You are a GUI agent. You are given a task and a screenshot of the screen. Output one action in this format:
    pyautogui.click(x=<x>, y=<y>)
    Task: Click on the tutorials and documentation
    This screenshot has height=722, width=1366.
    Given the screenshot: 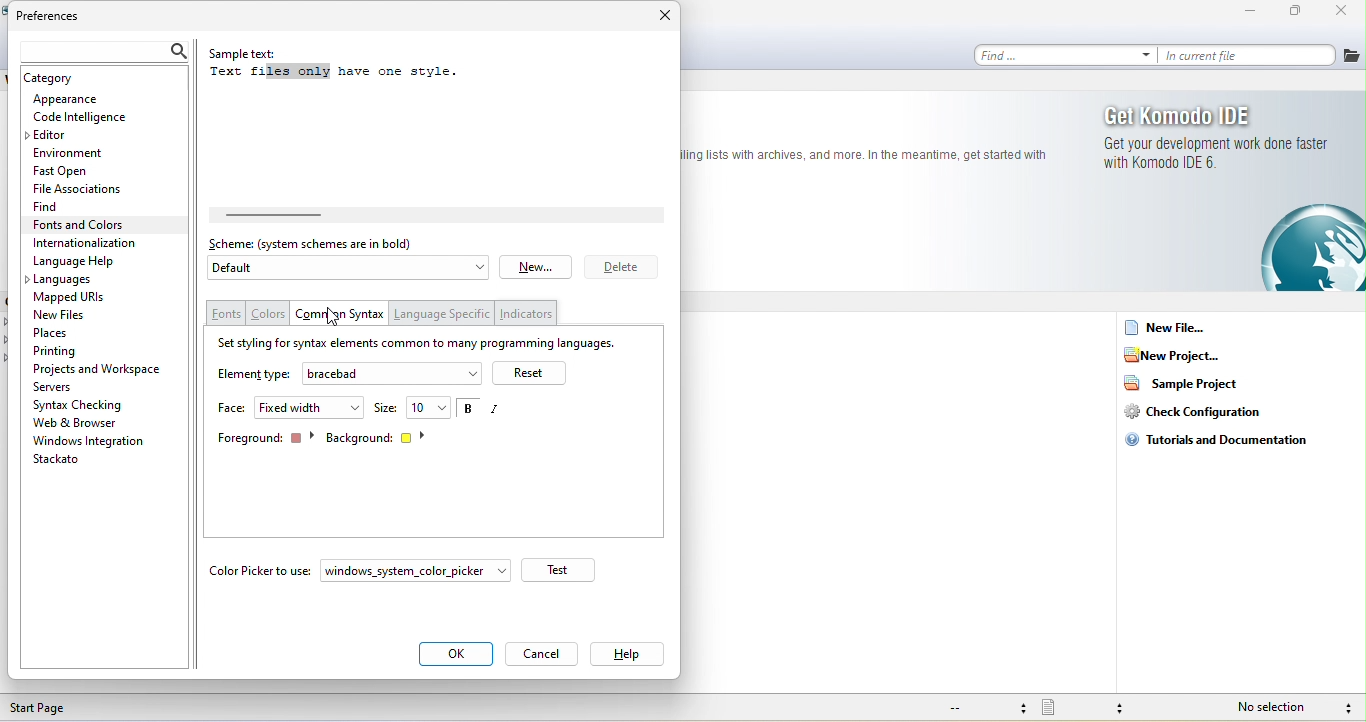 What is the action you would take?
    pyautogui.click(x=1225, y=447)
    